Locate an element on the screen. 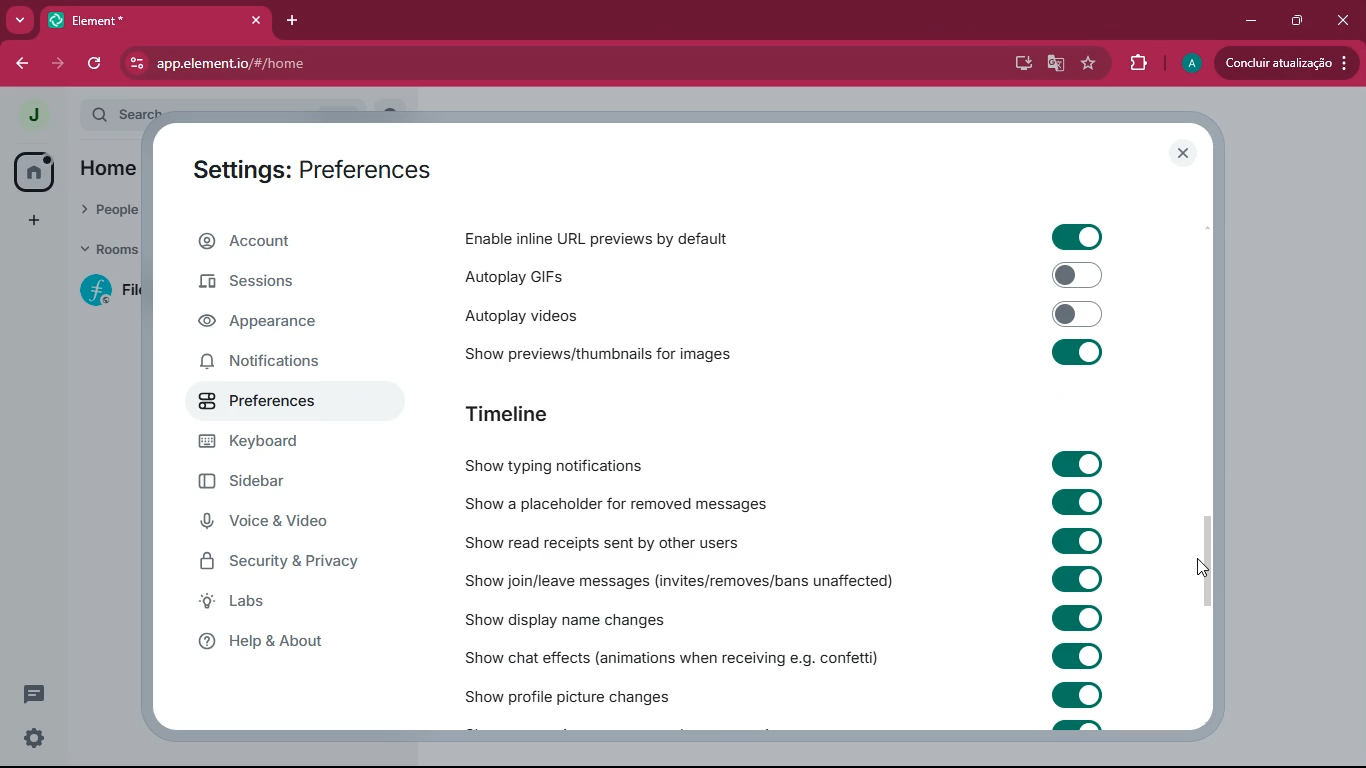 The image size is (1366, 768). toggle on/off is located at coordinates (1079, 314).